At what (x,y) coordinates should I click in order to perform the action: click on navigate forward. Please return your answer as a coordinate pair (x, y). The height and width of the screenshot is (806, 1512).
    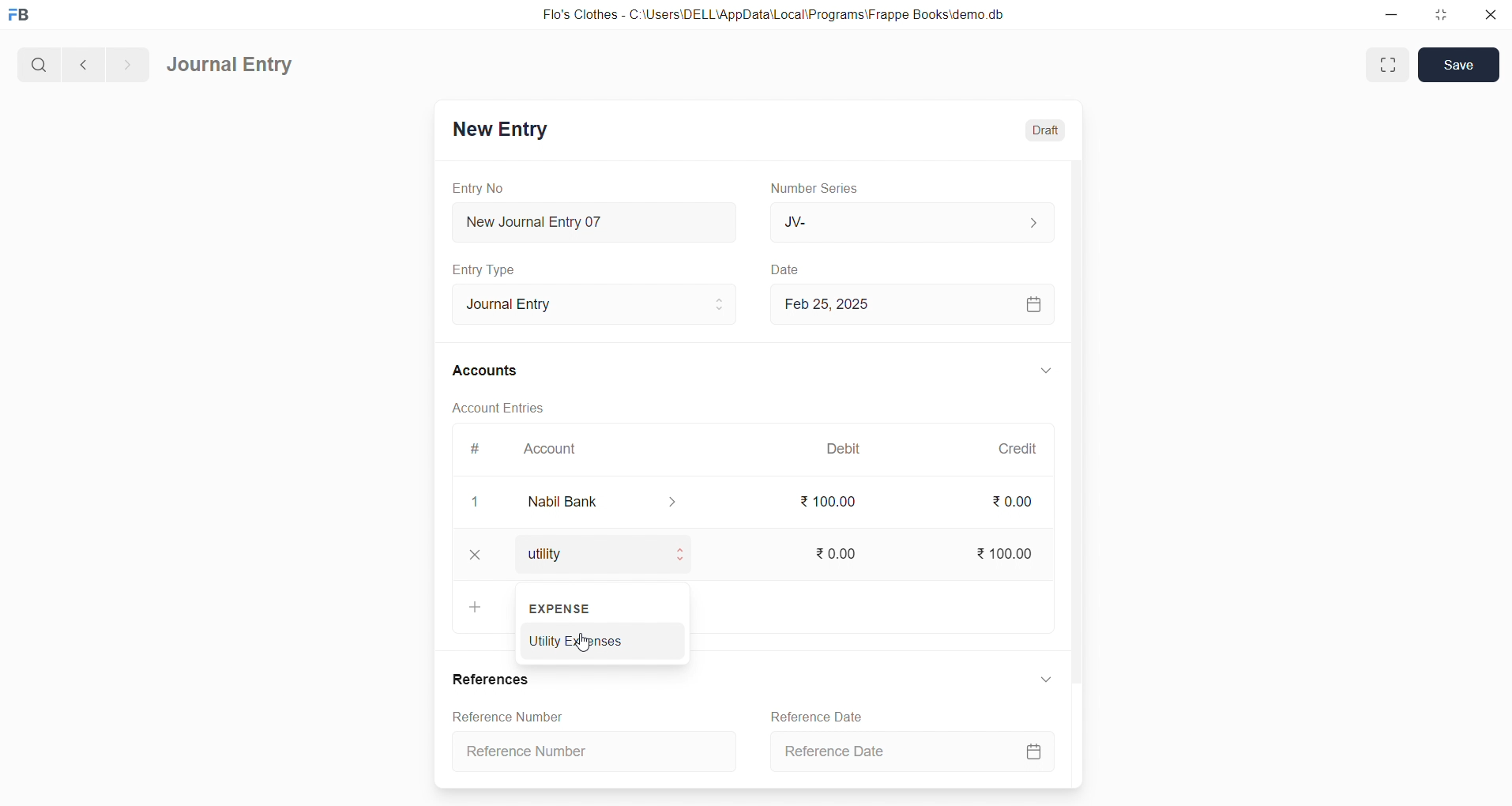
    Looking at the image, I should click on (127, 62).